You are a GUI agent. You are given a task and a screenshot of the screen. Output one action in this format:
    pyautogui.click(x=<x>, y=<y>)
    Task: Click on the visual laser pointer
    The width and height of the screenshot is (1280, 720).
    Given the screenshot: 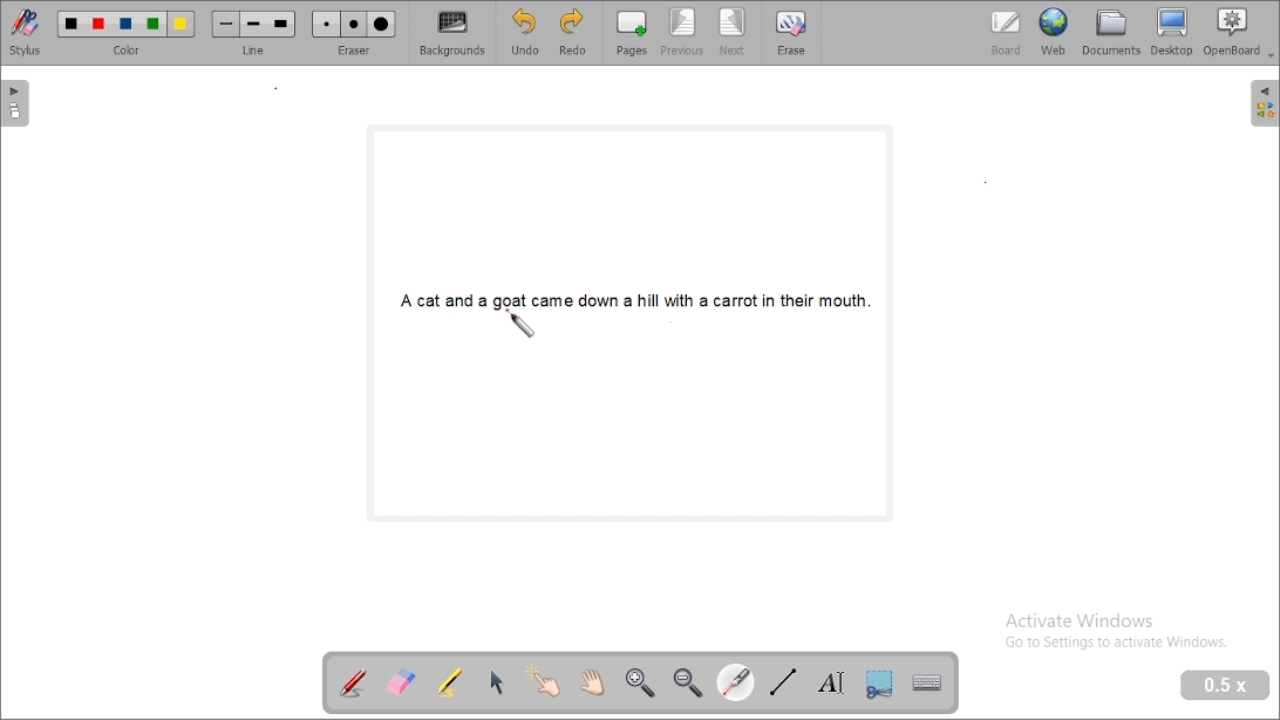 What is the action you would take?
    pyautogui.click(x=735, y=681)
    